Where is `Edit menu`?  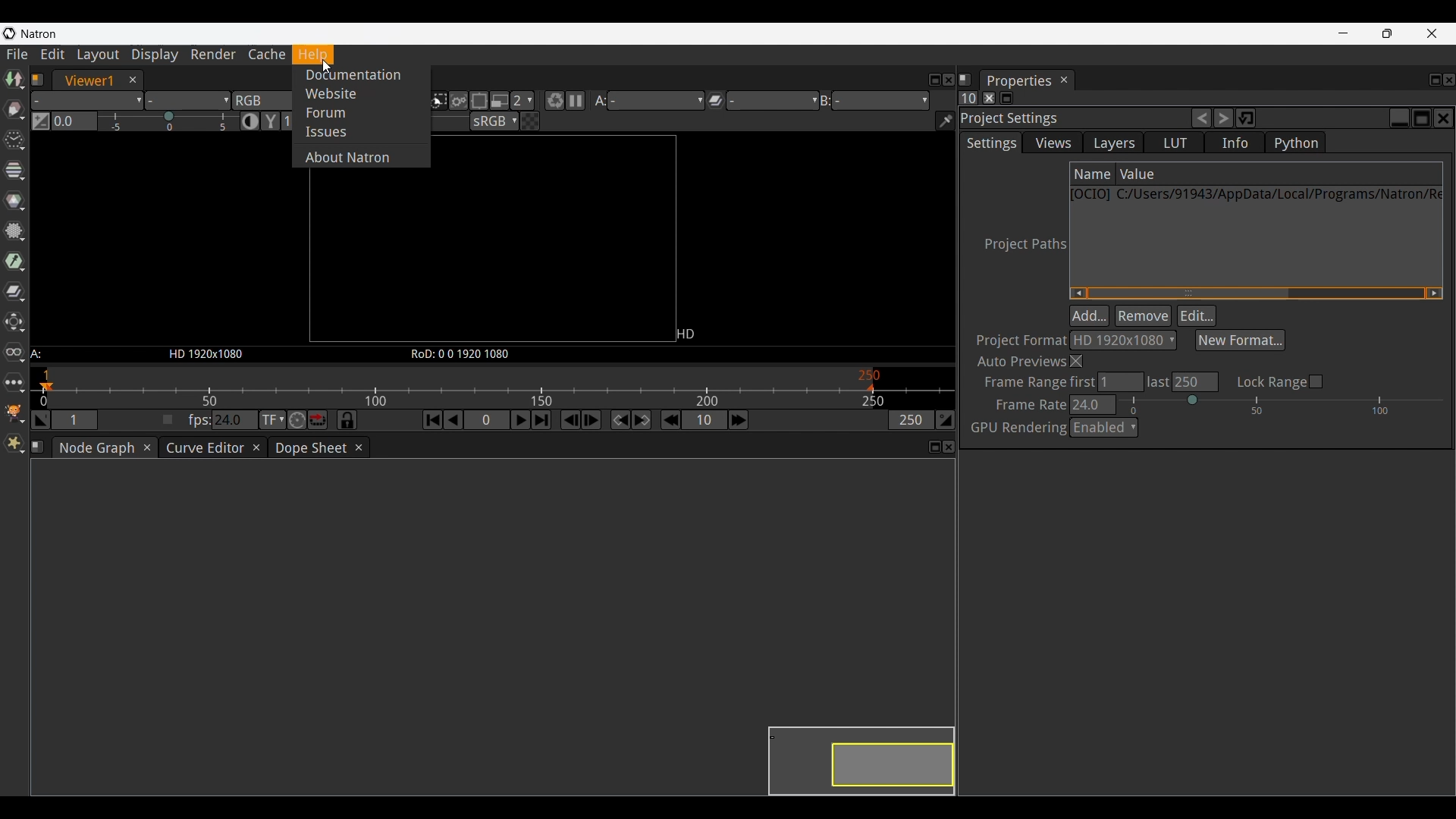 Edit menu is located at coordinates (52, 55).